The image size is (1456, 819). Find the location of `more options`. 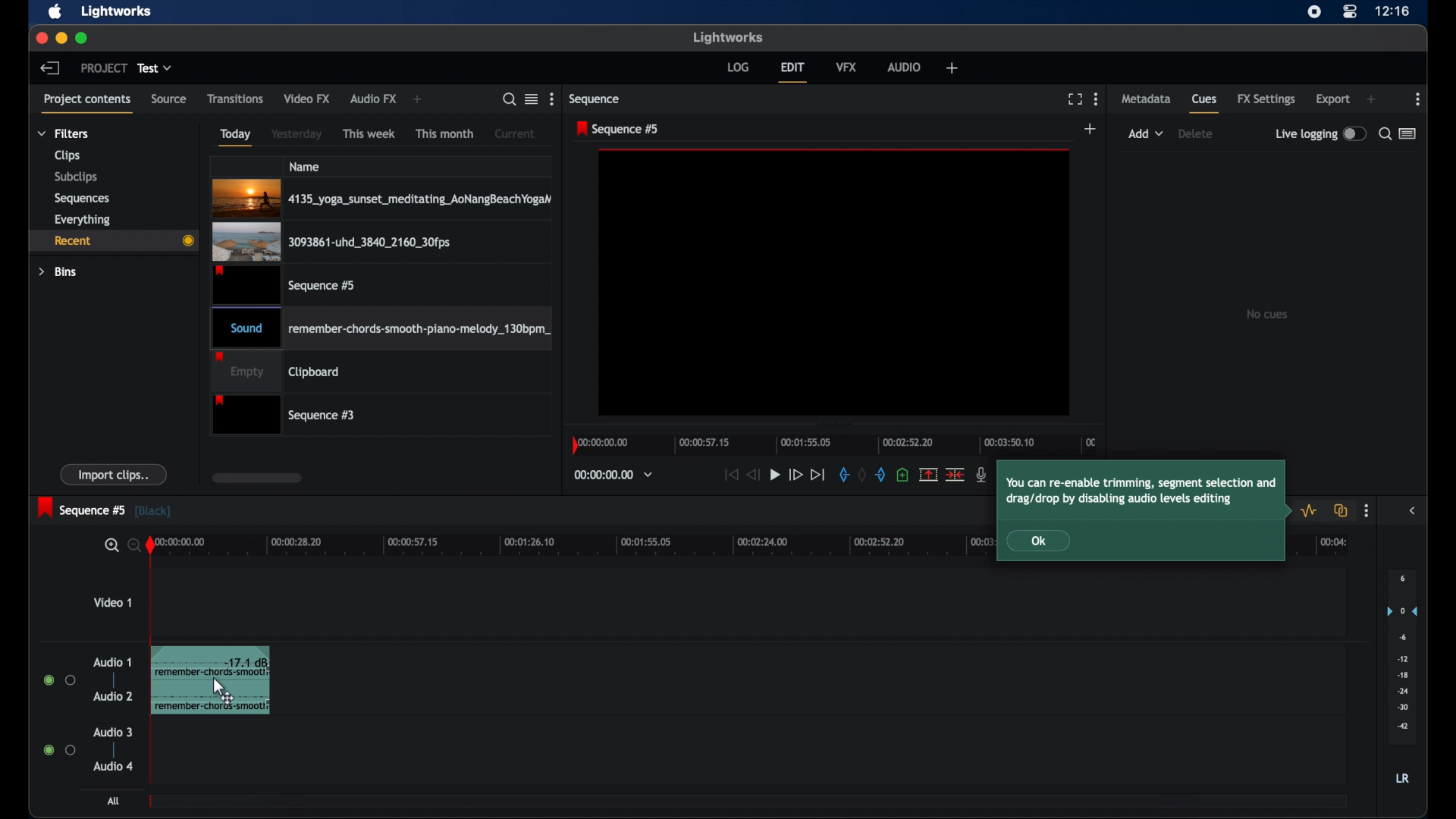

more options is located at coordinates (1096, 99).